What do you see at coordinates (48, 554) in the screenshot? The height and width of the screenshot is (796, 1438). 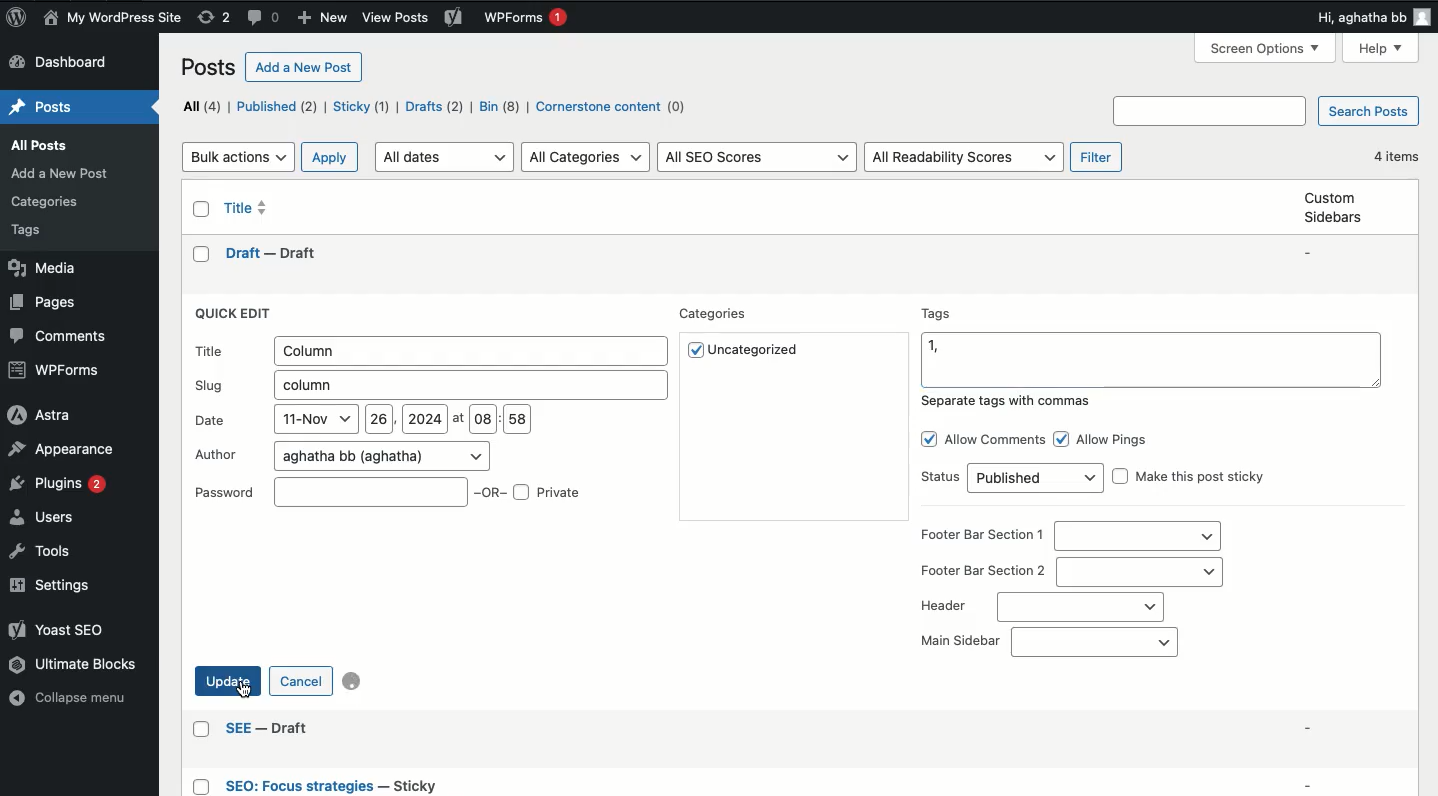 I see `Tools` at bounding box center [48, 554].